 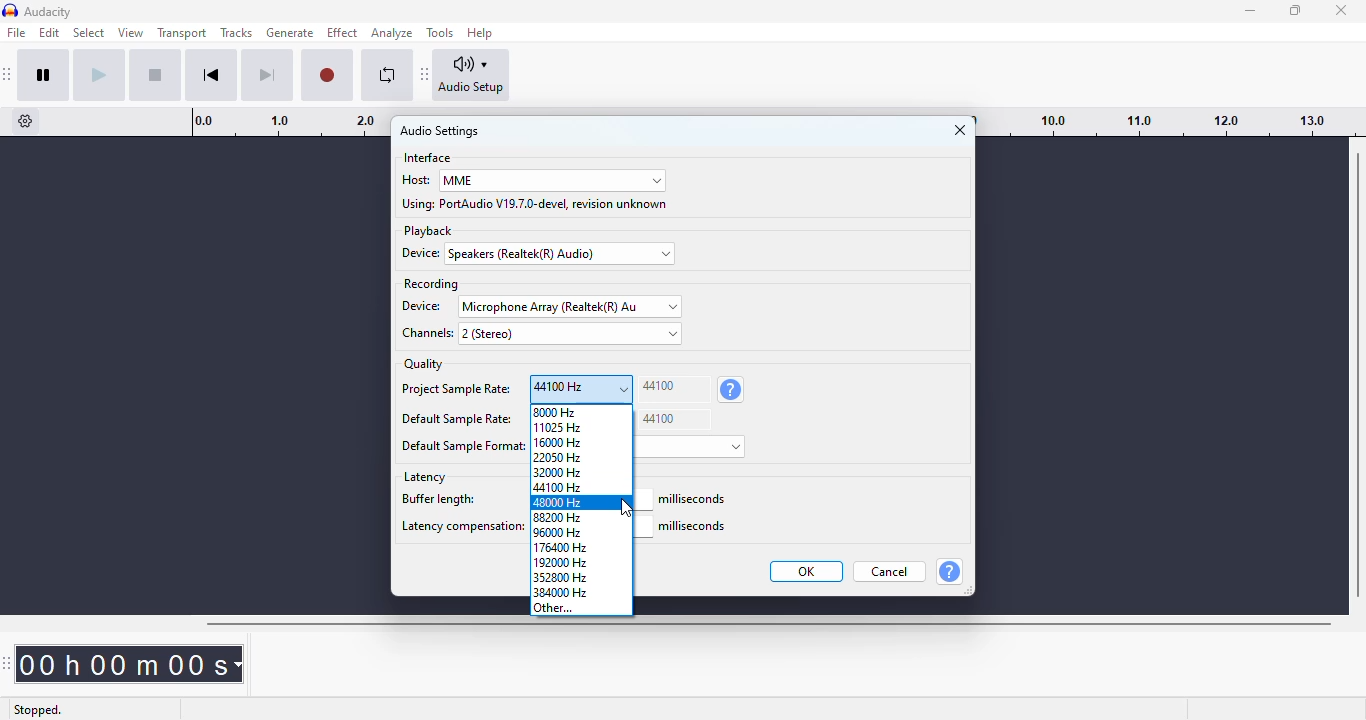 I want to click on miliseconds, so click(x=694, y=527).